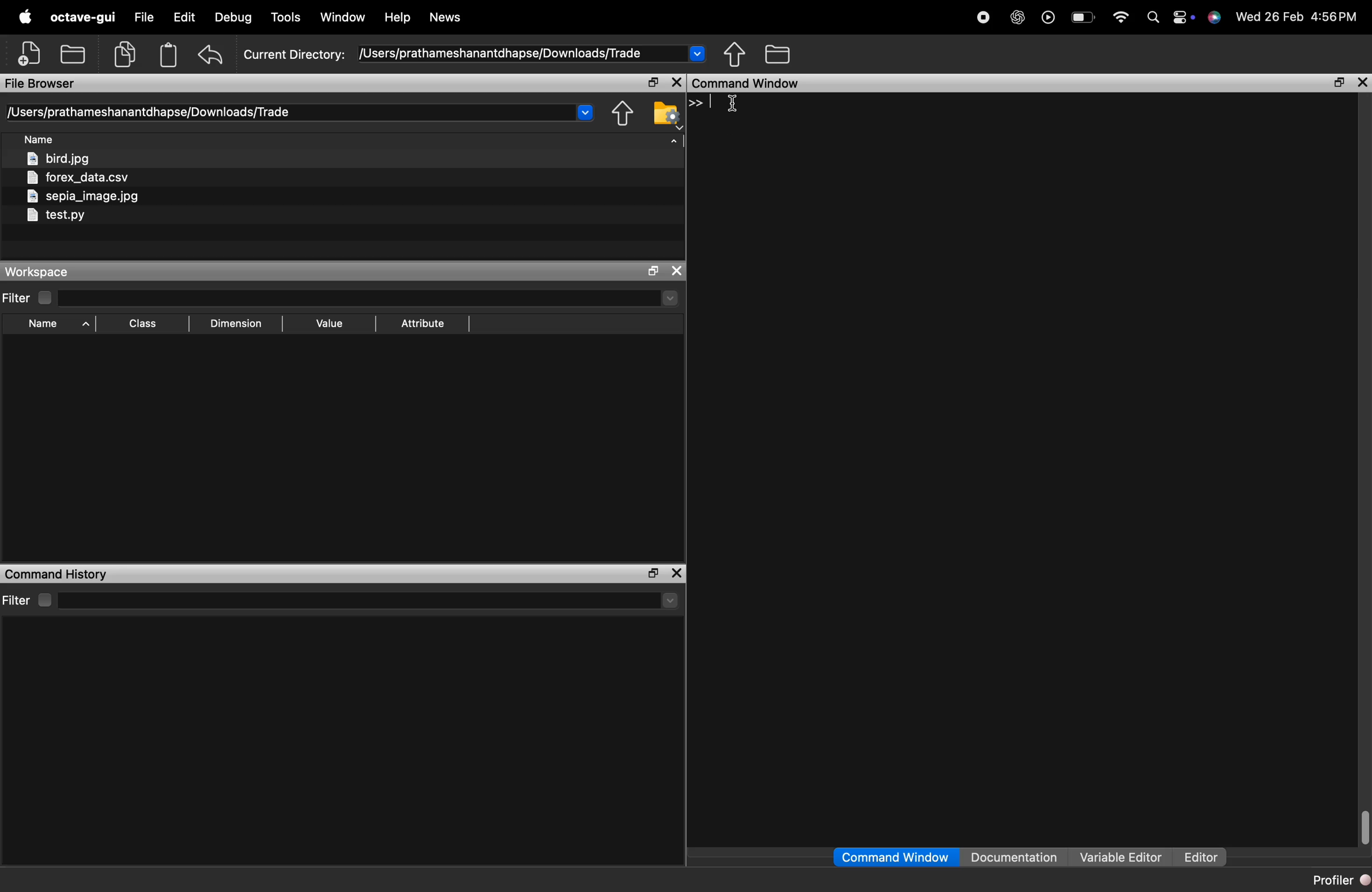 The height and width of the screenshot is (892, 1372). I want to click on octave-gui, so click(84, 17).